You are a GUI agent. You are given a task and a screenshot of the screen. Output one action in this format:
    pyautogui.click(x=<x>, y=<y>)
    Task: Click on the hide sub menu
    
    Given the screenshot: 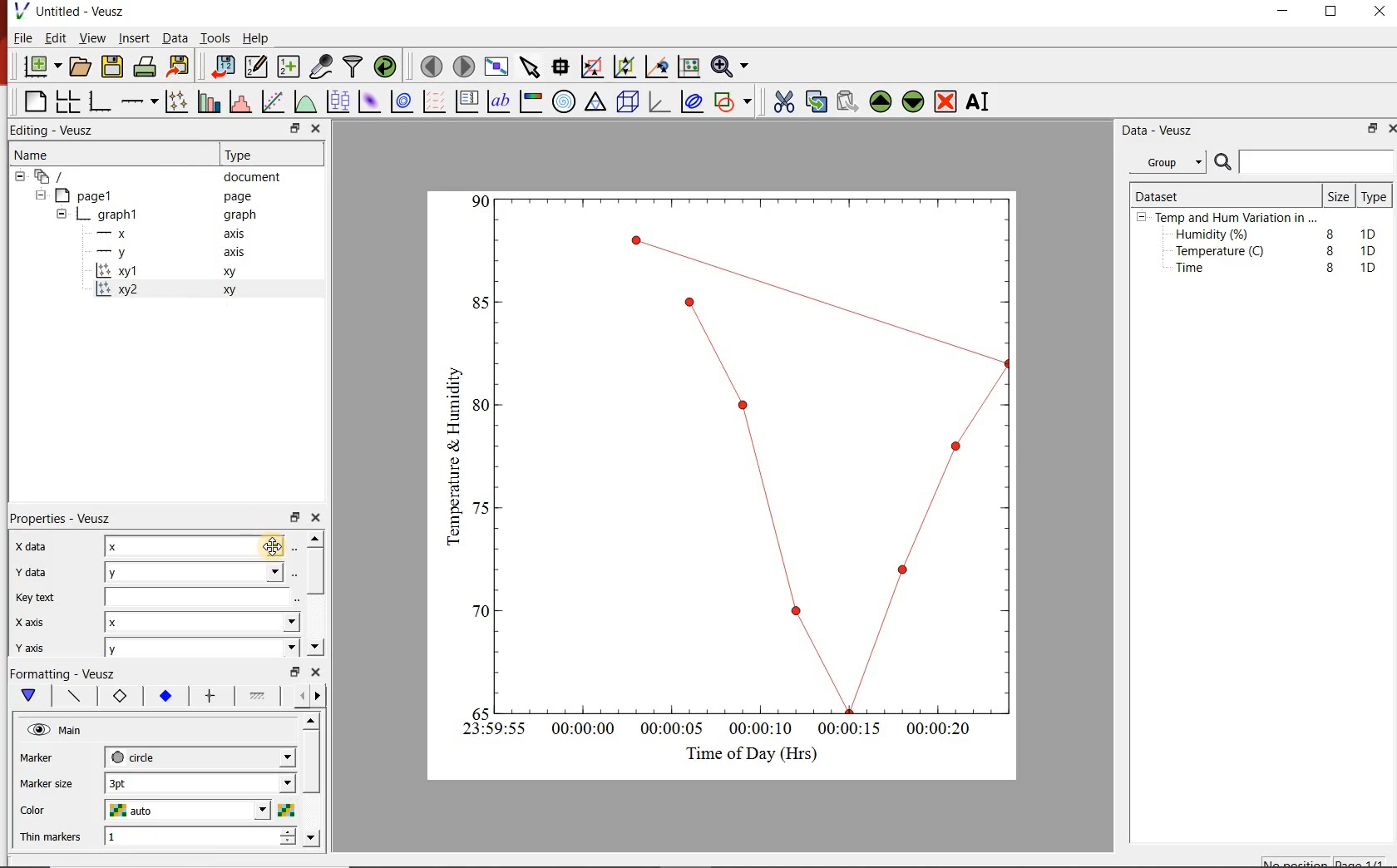 What is the action you would take?
    pyautogui.click(x=1142, y=219)
    